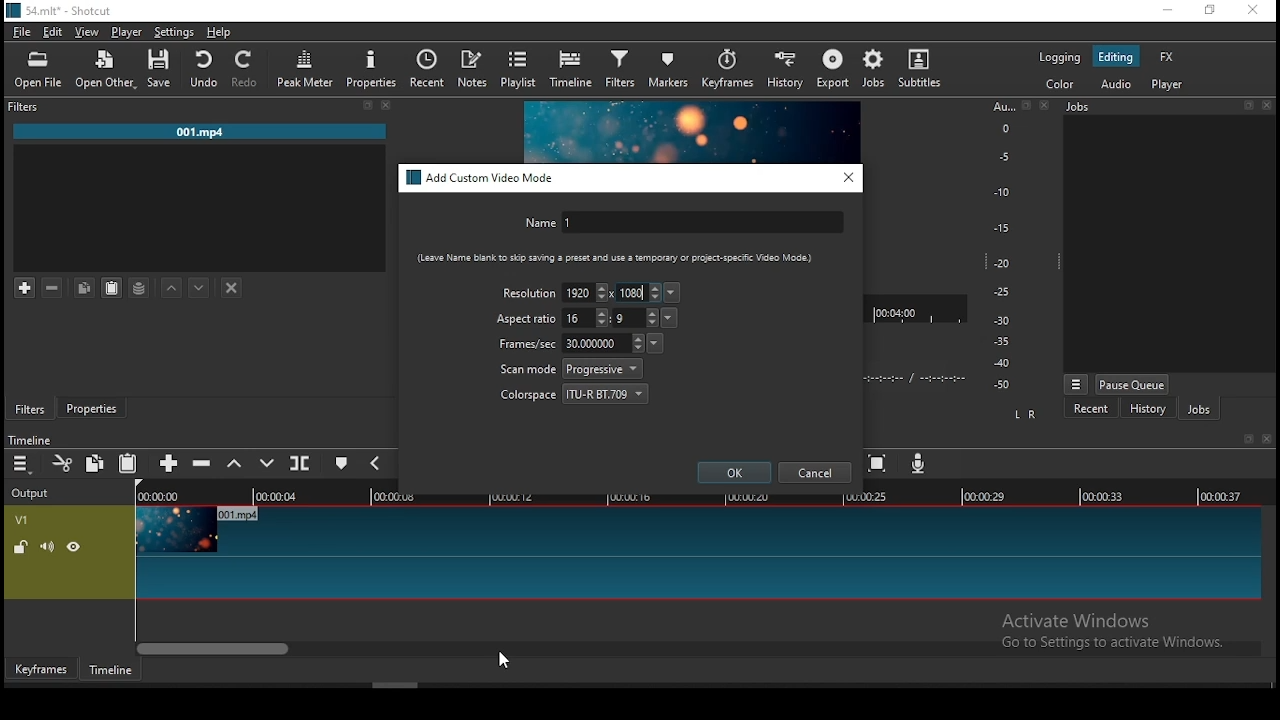  Describe the element at coordinates (374, 462) in the screenshot. I see `previous marker` at that location.